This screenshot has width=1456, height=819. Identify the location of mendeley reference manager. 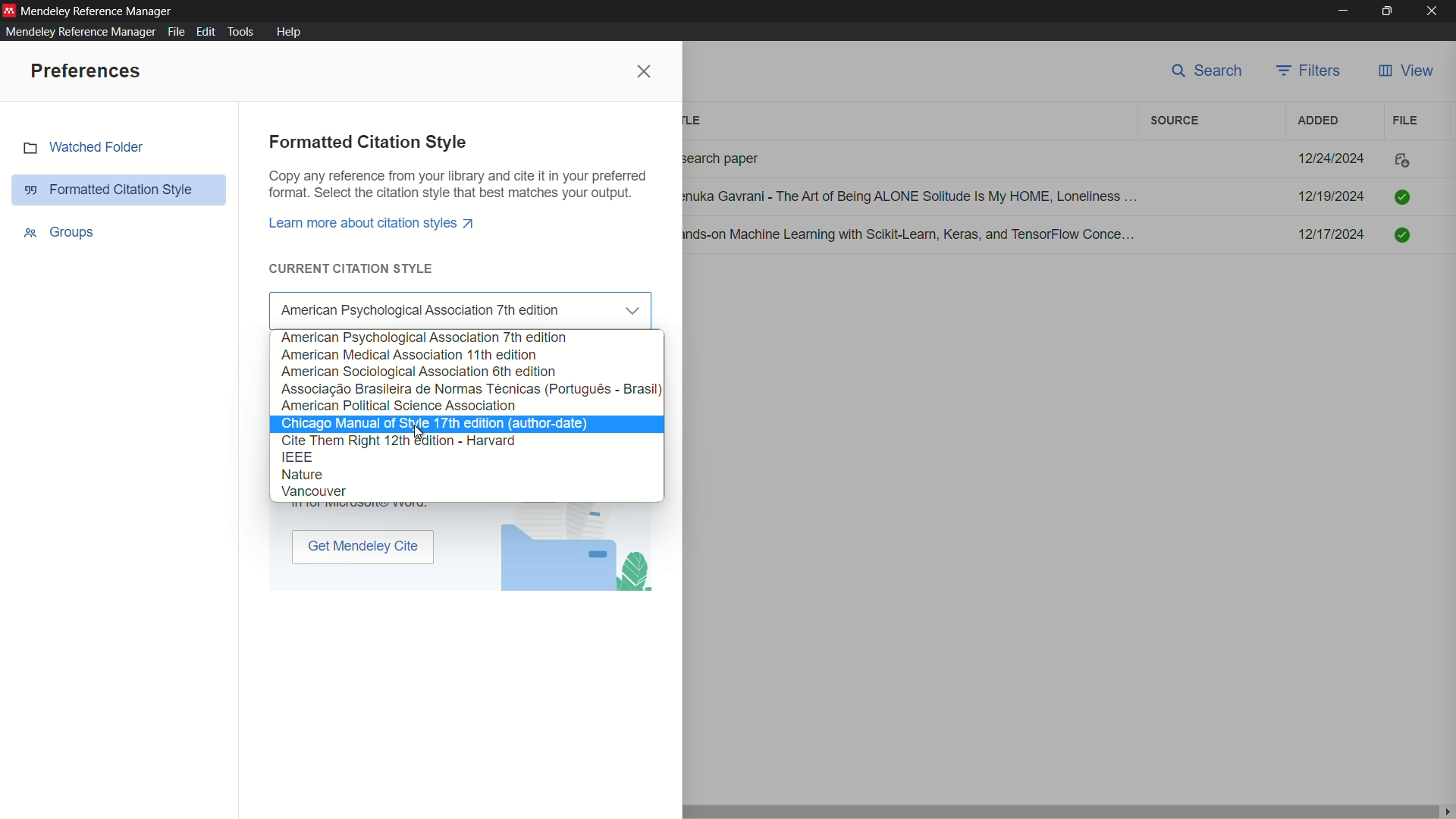
(78, 31).